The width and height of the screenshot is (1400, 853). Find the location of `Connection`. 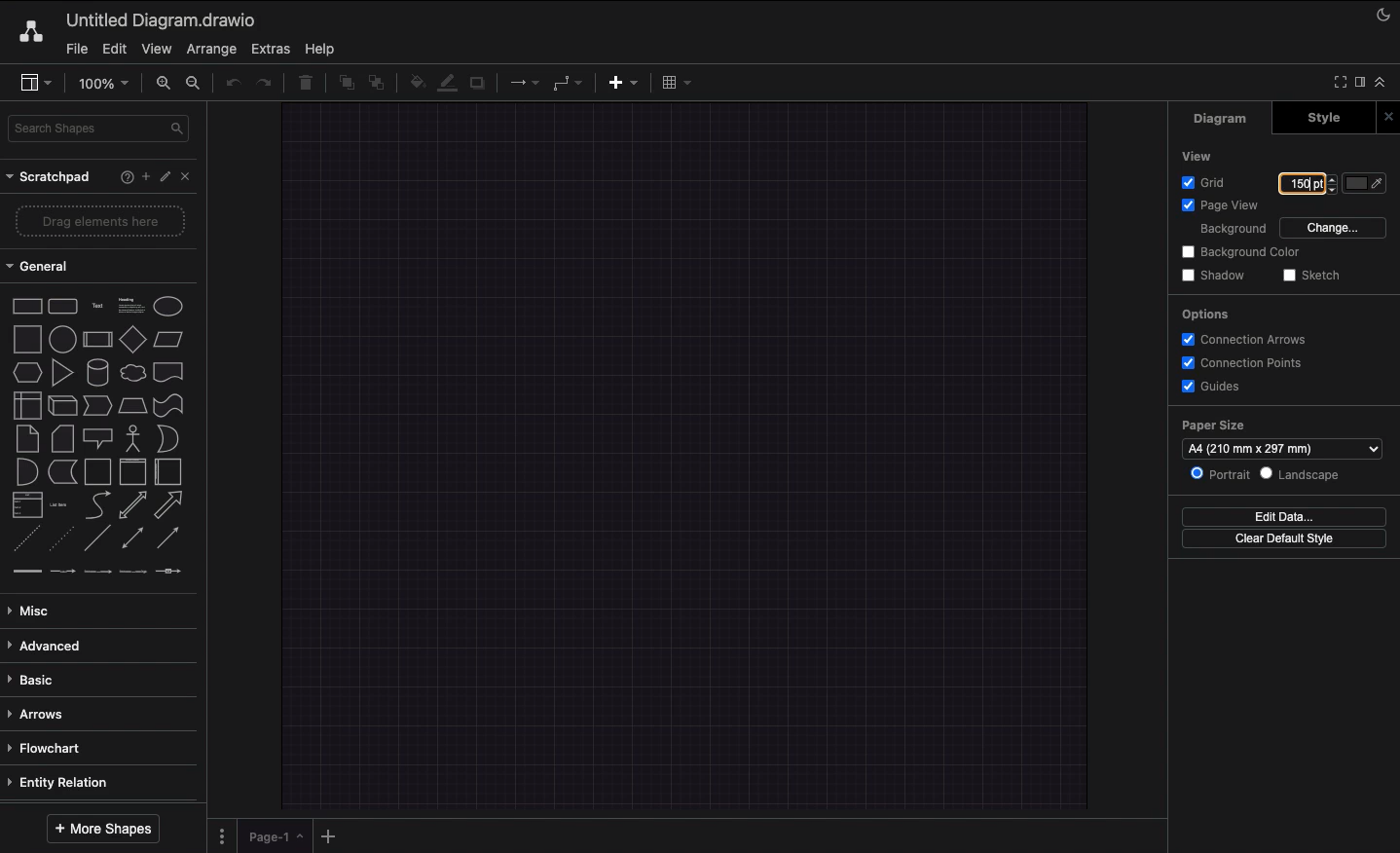

Connection is located at coordinates (524, 83).